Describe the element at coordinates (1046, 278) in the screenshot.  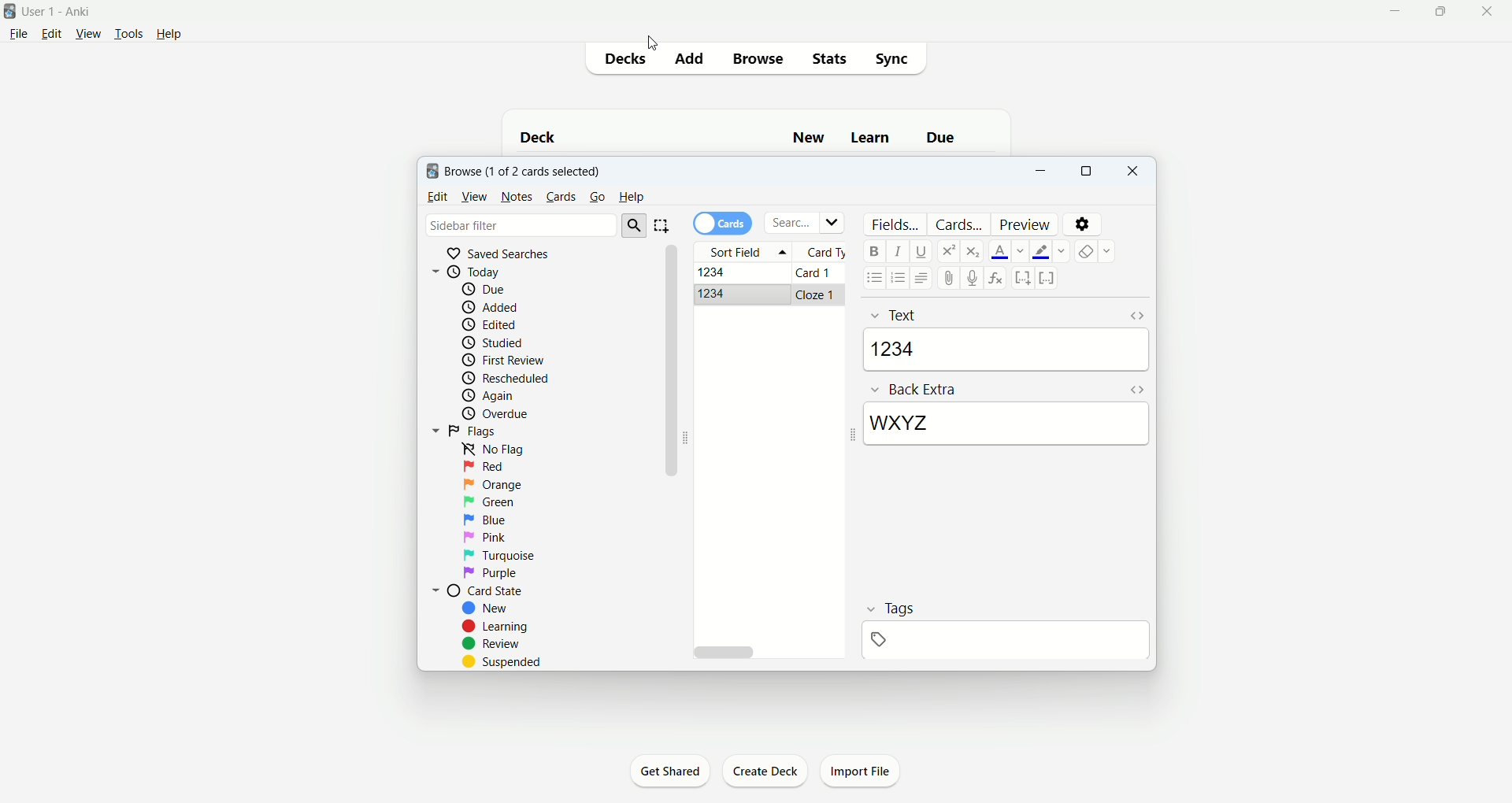
I see `Cloze deletion (same card)` at that location.